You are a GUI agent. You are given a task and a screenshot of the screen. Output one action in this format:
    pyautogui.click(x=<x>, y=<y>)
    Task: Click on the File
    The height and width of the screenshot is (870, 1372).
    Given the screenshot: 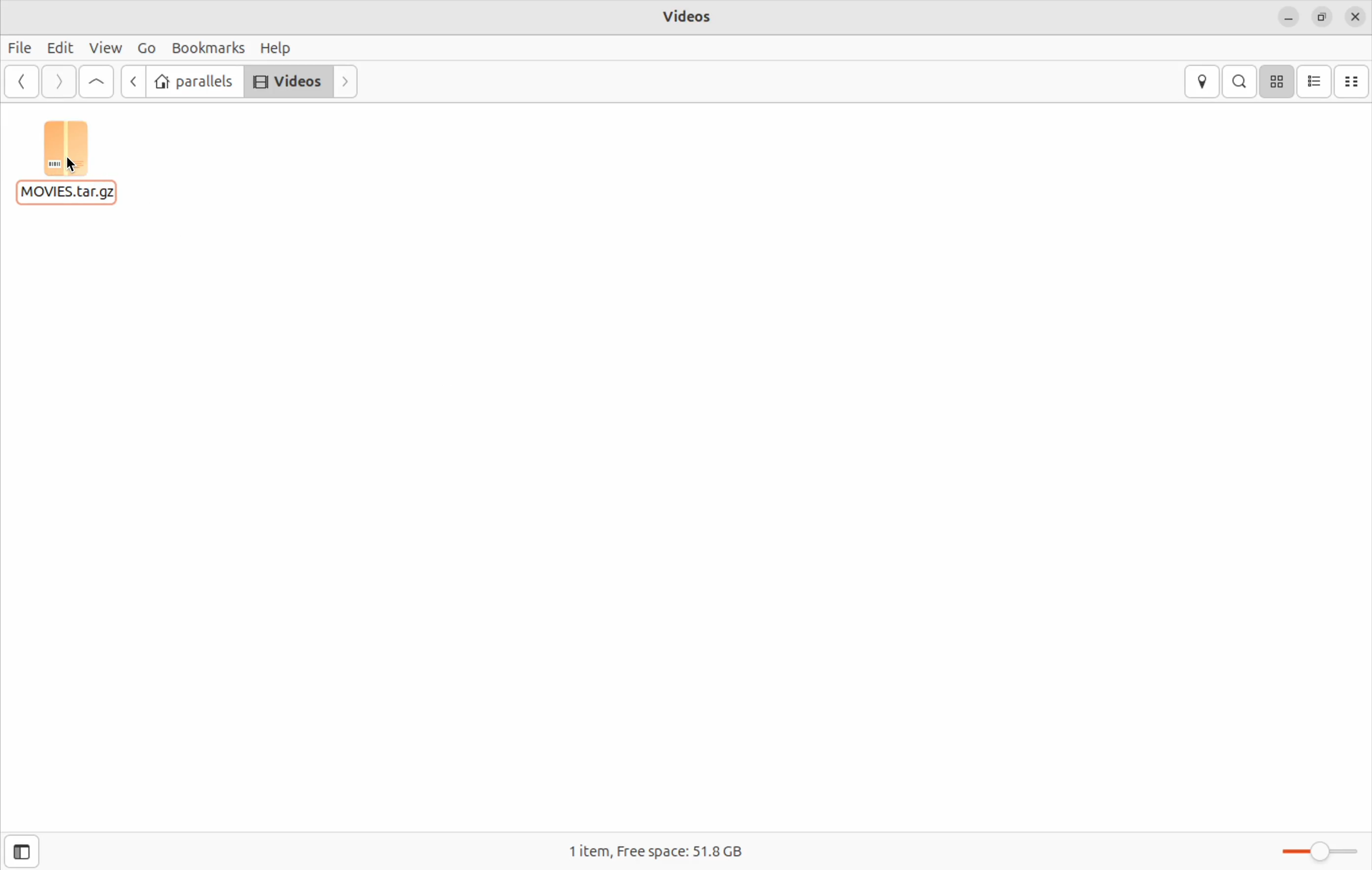 What is the action you would take?
    pyautogui.click(x=20, y=48)
    